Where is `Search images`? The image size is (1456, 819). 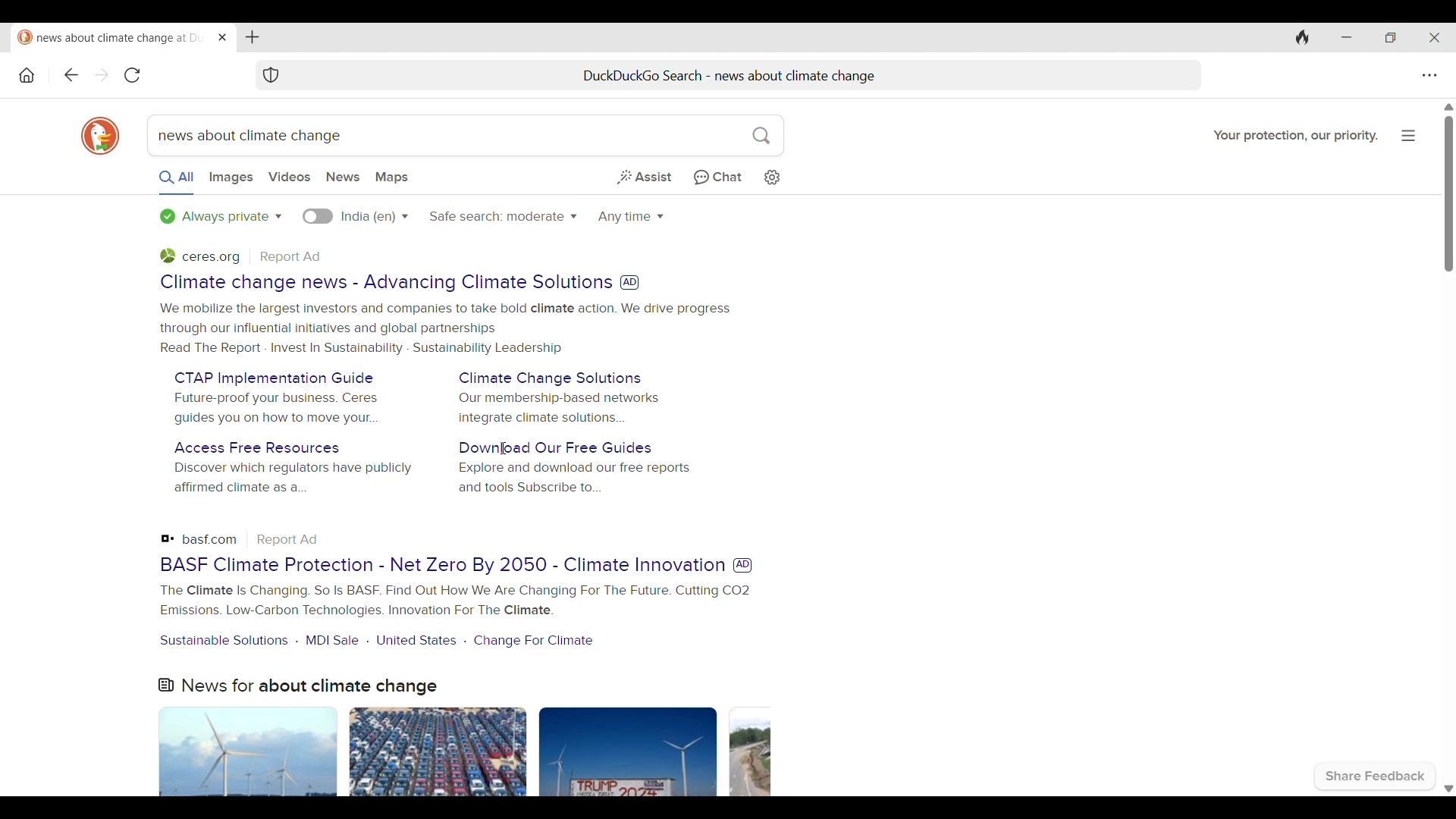 Search images is located at coordinates (231, 178).